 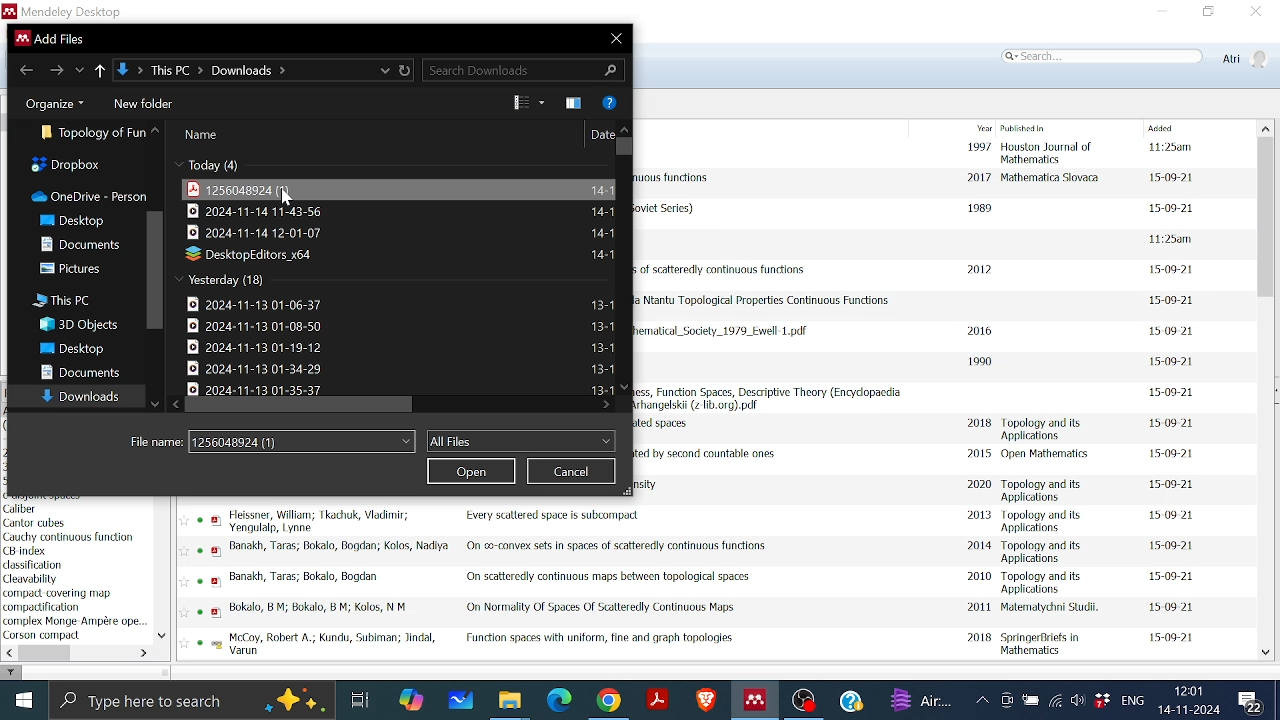 What do you see at coordinates (599, 190) in the screenshot?
I see `File` at bounding box center [599, 190].